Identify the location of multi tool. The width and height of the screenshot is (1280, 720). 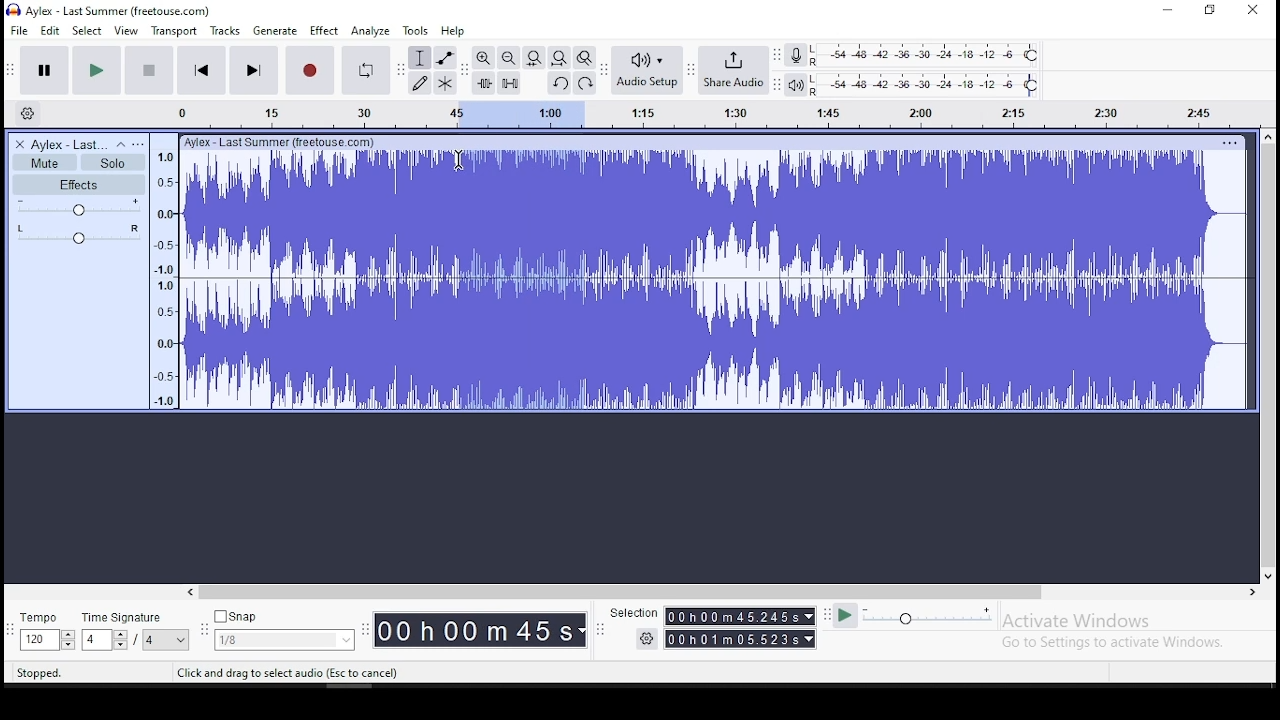
(444, 85).